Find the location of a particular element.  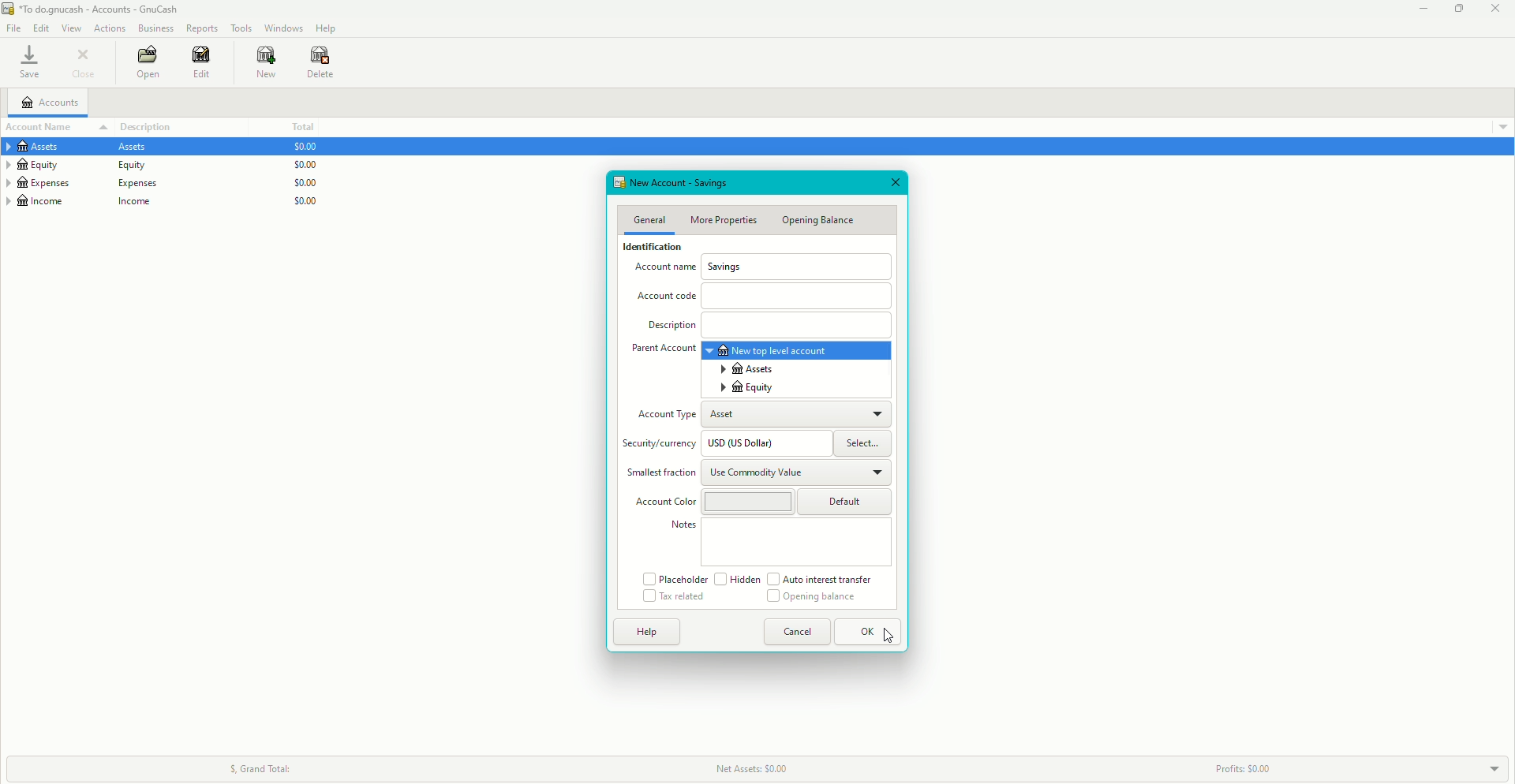

Asset is located at coordinates (731, 416).